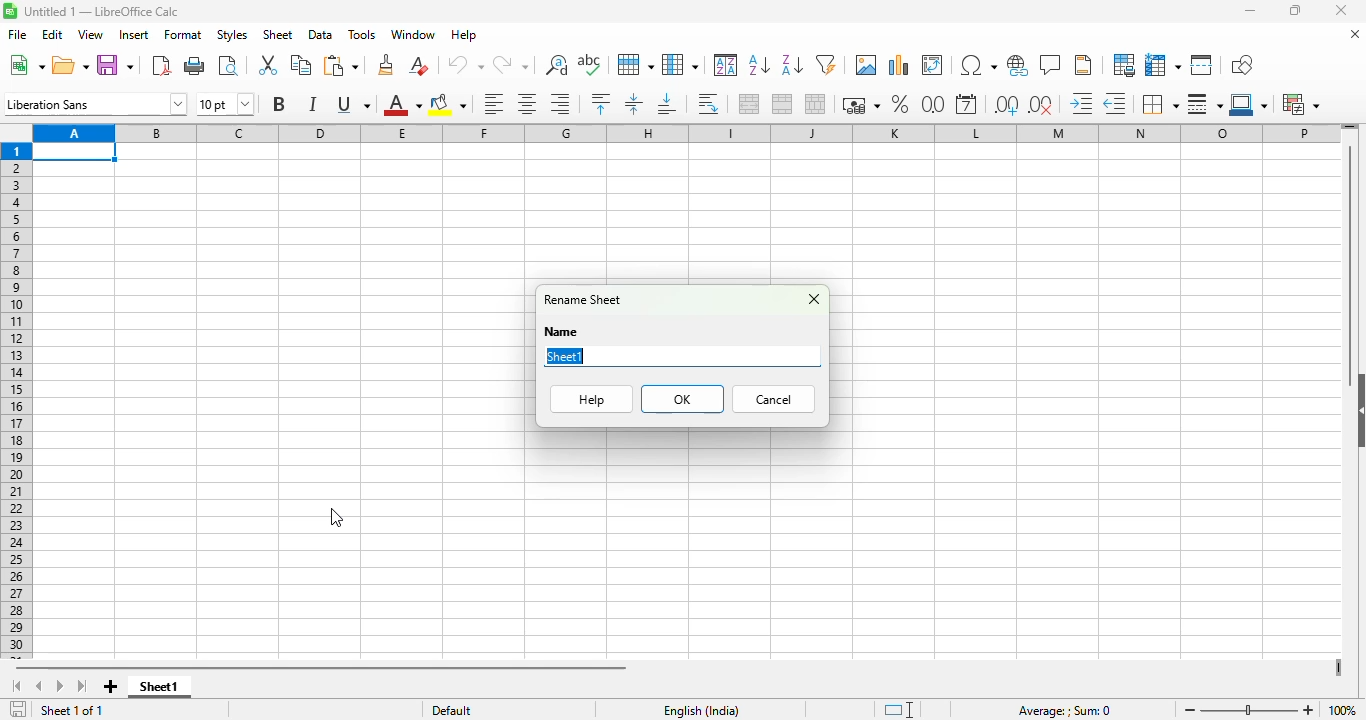 The width and height of the screenshot is (1366, 720). I want to click on font size, so click(224, 103).